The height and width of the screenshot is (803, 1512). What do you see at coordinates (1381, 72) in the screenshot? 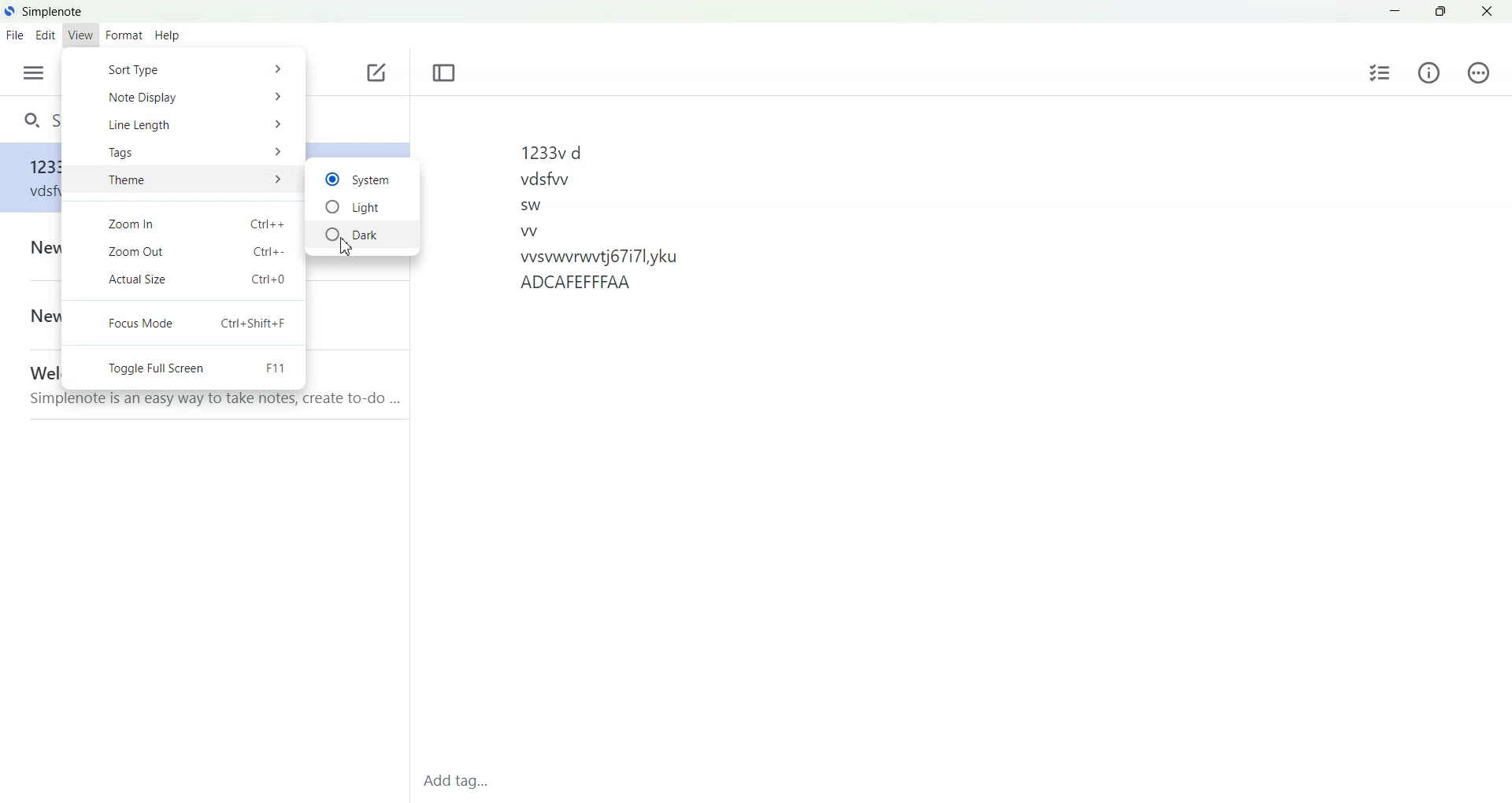
I see `Insert checklist` at bounding box center [1381, 72].